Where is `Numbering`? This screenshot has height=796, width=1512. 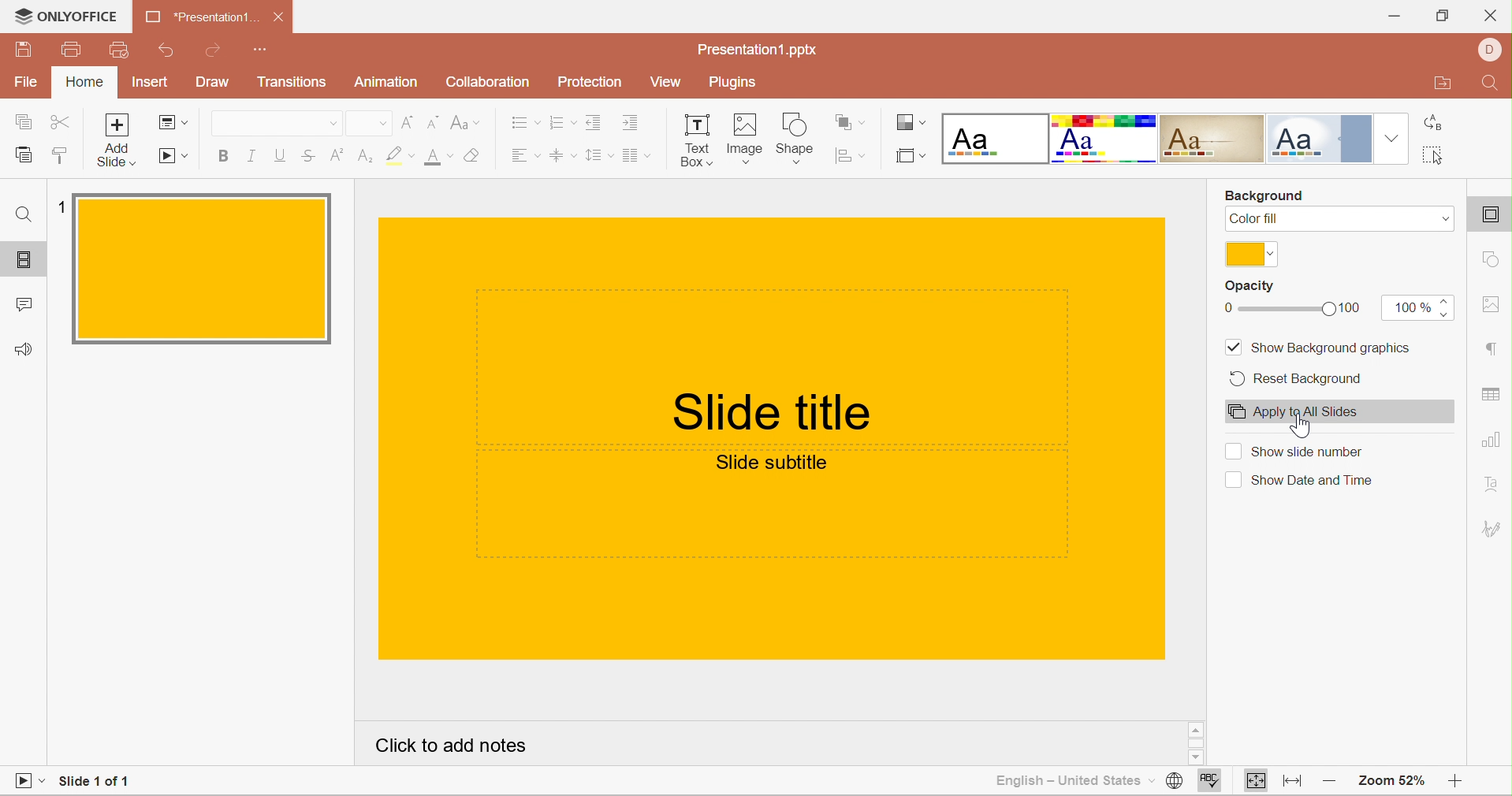
Numbering is located at coordinates (563, 124).